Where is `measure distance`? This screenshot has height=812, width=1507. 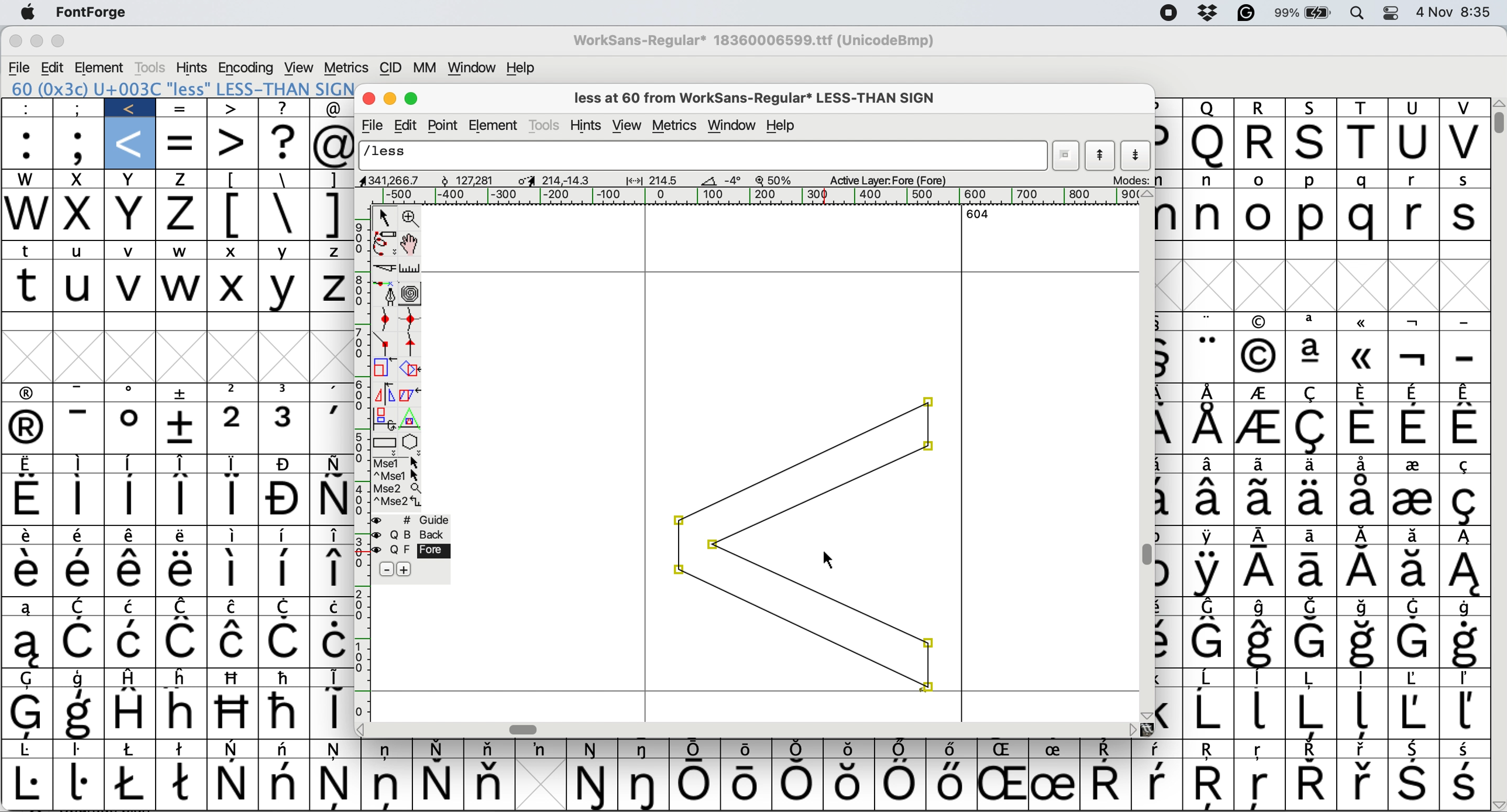 measure distance is located at coordinates (411, 267).